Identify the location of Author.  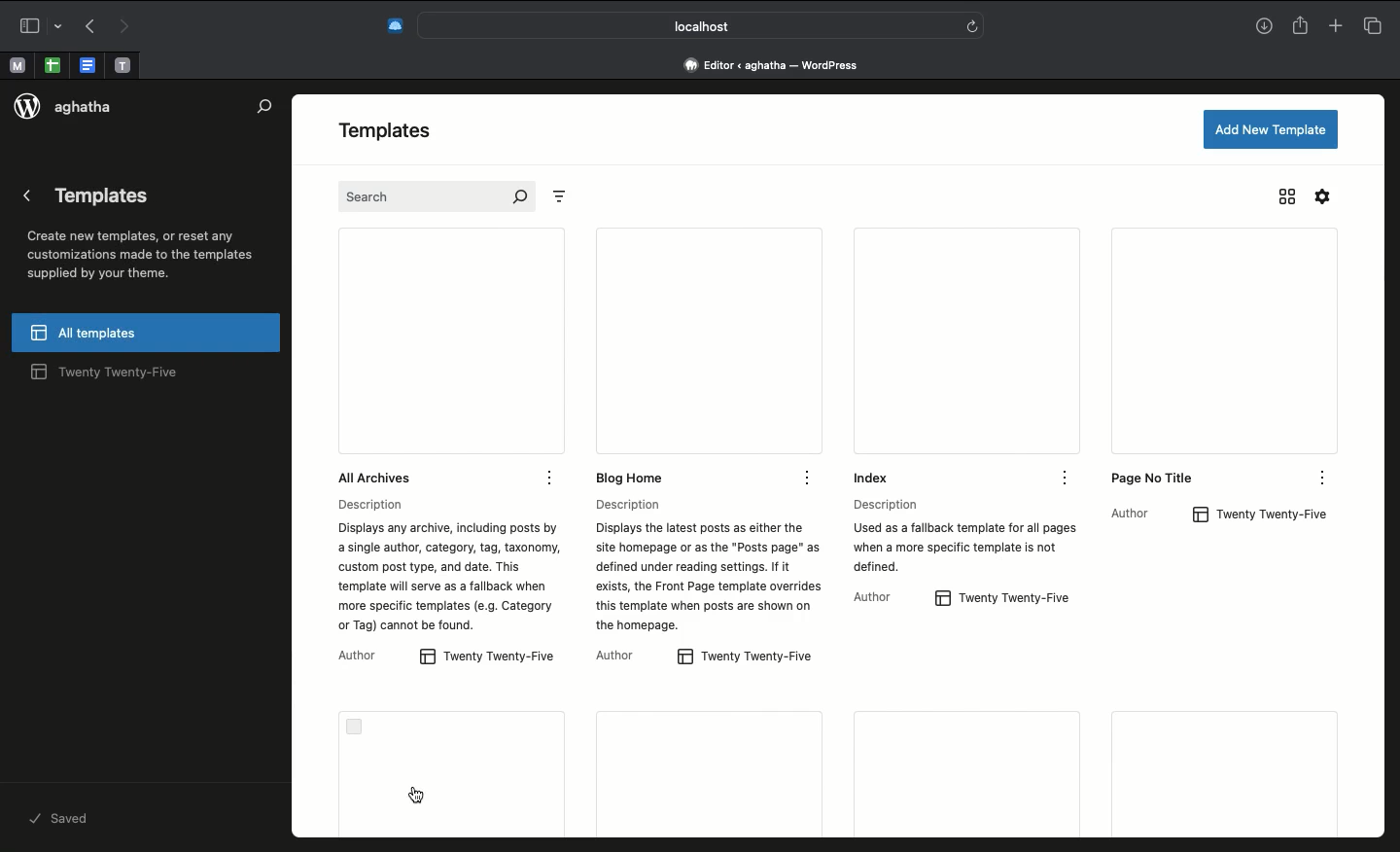
(616, 655).